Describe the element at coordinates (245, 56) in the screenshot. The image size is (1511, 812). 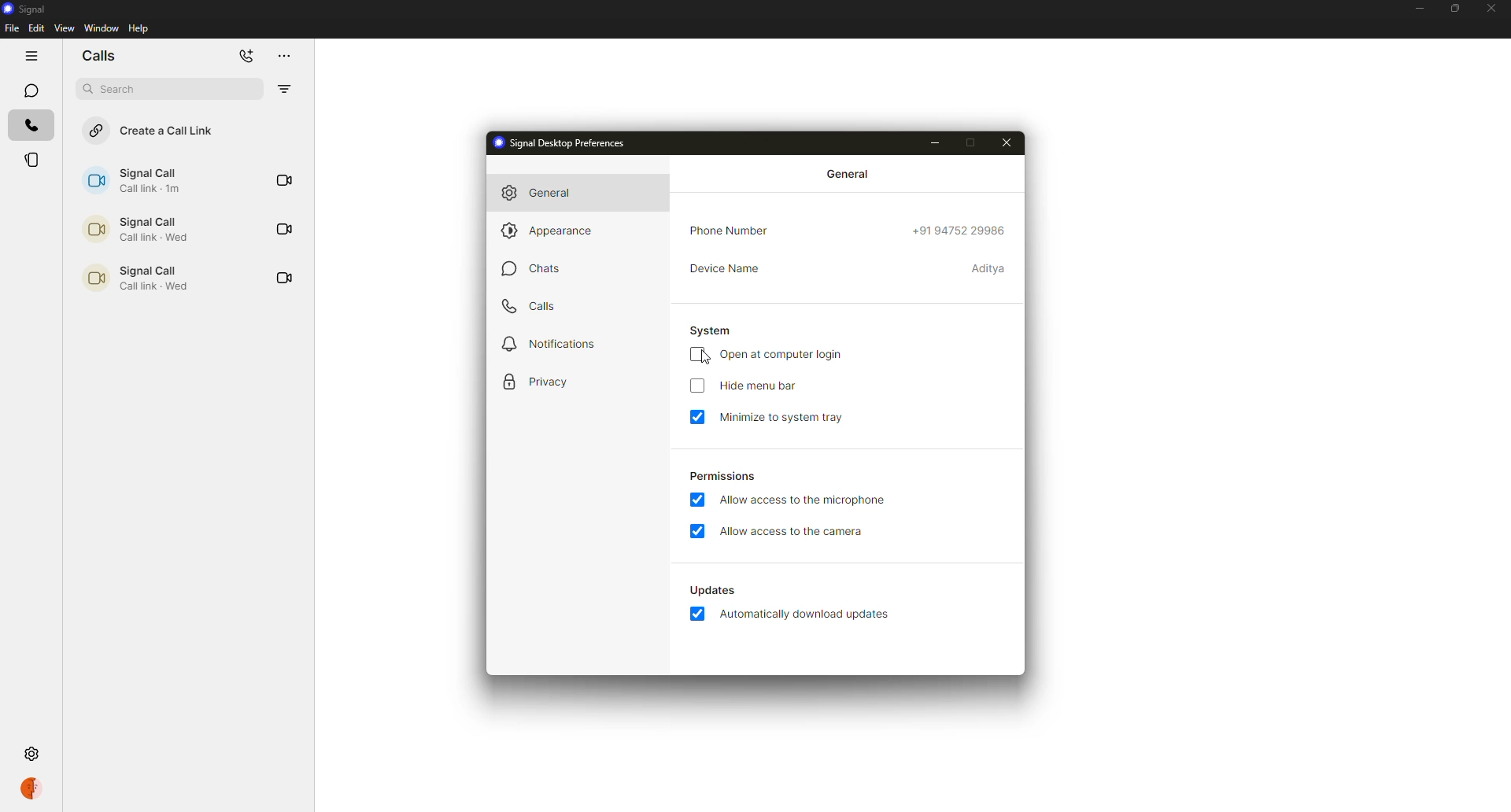
I see `add` at that location.